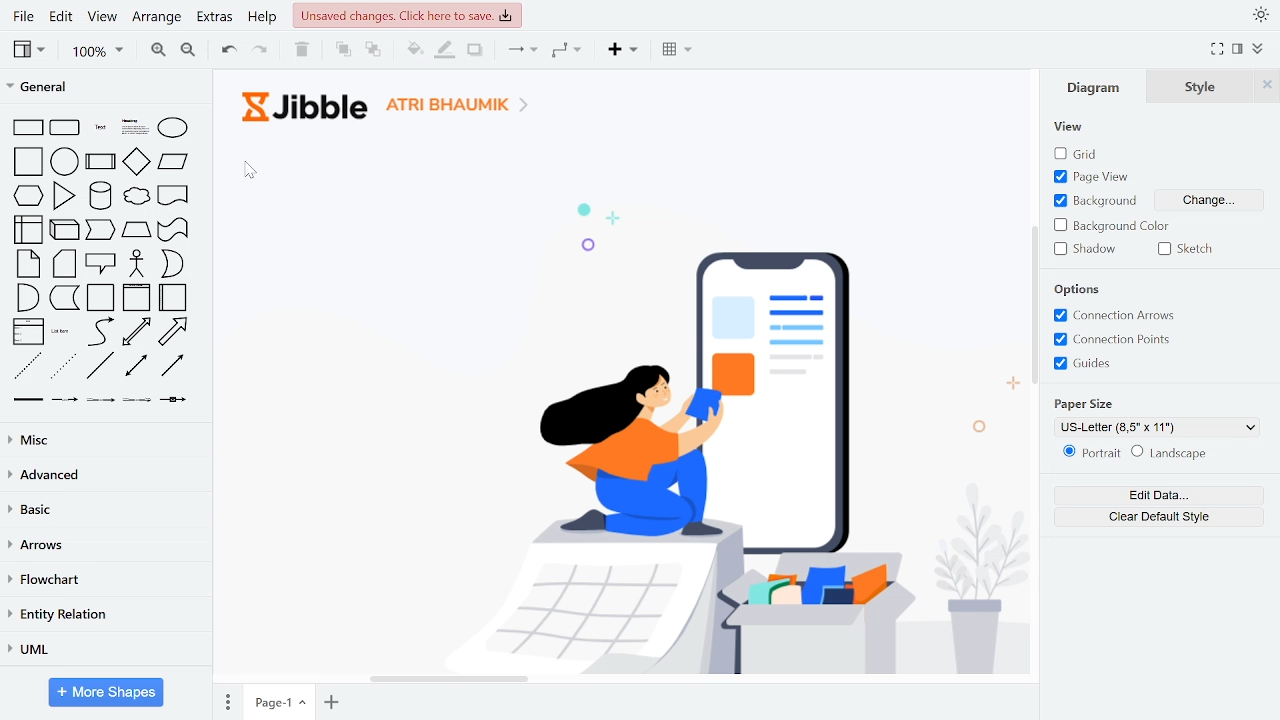  Describe the element at coordinates (102, 582) in the screenshot. I see `flowchart` at that location.